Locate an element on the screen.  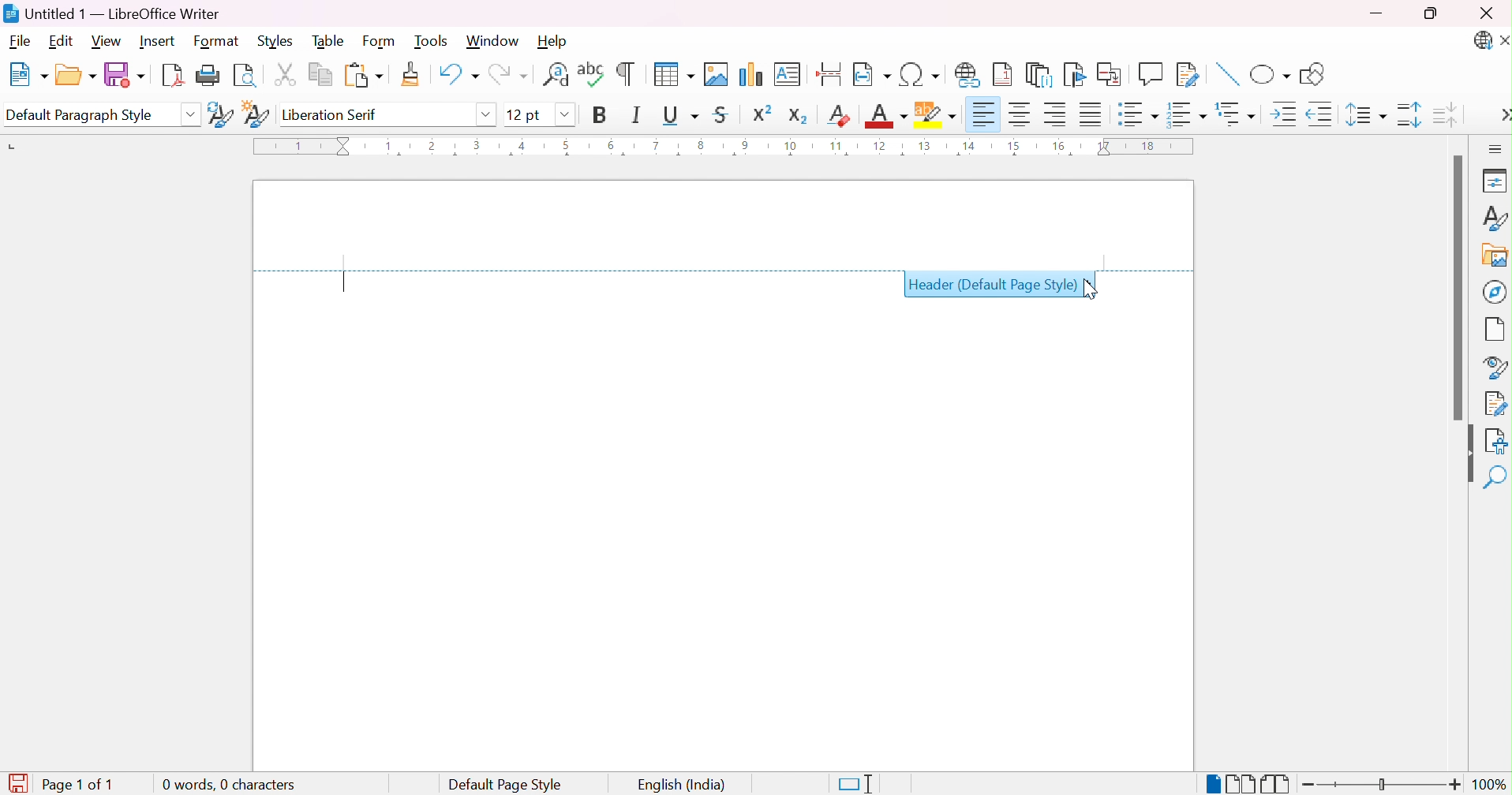
Set line spacing is located at coordinates (1366, 117).